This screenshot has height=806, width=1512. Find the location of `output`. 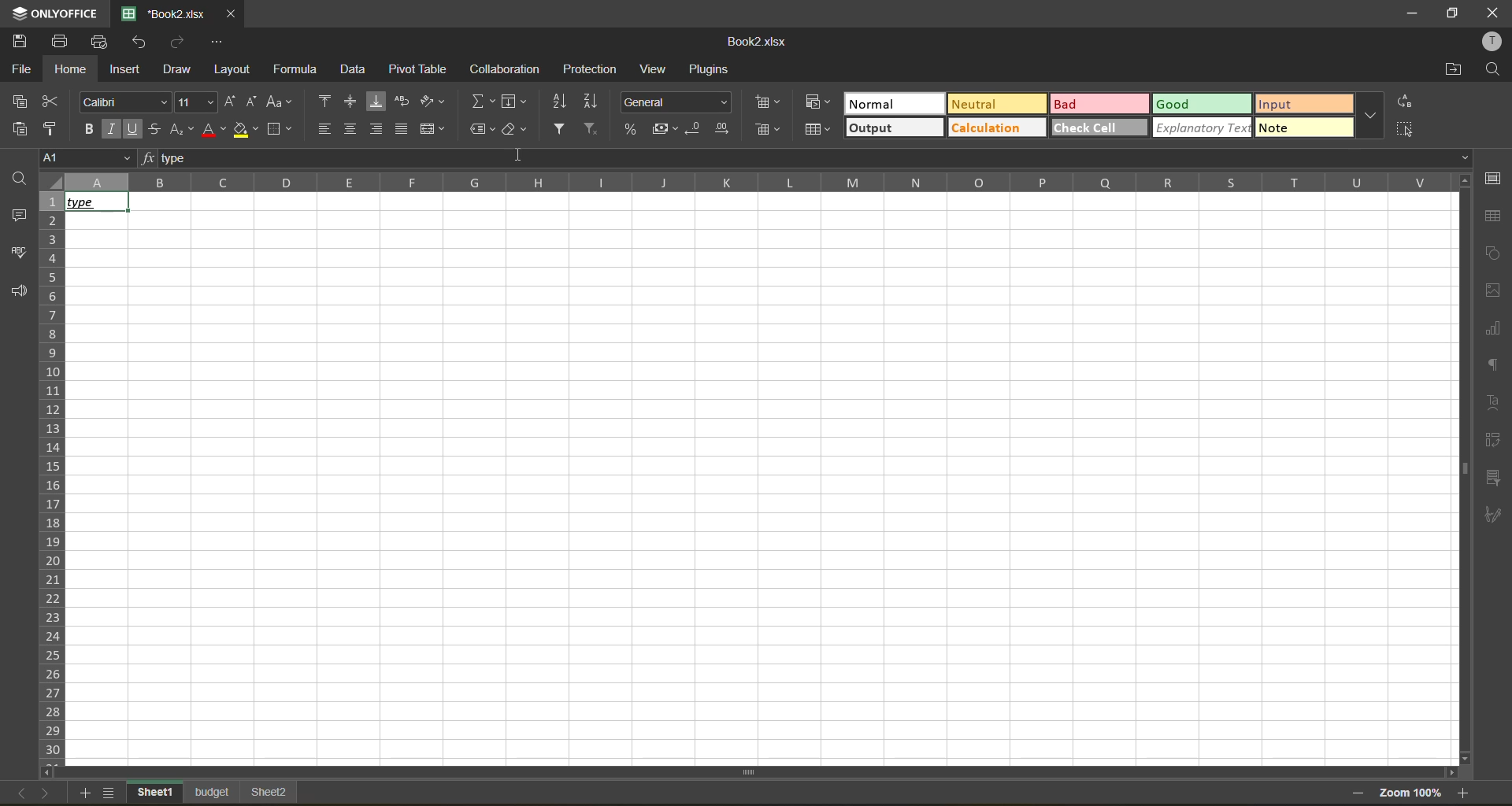

output is located at coordinates (893, 128).